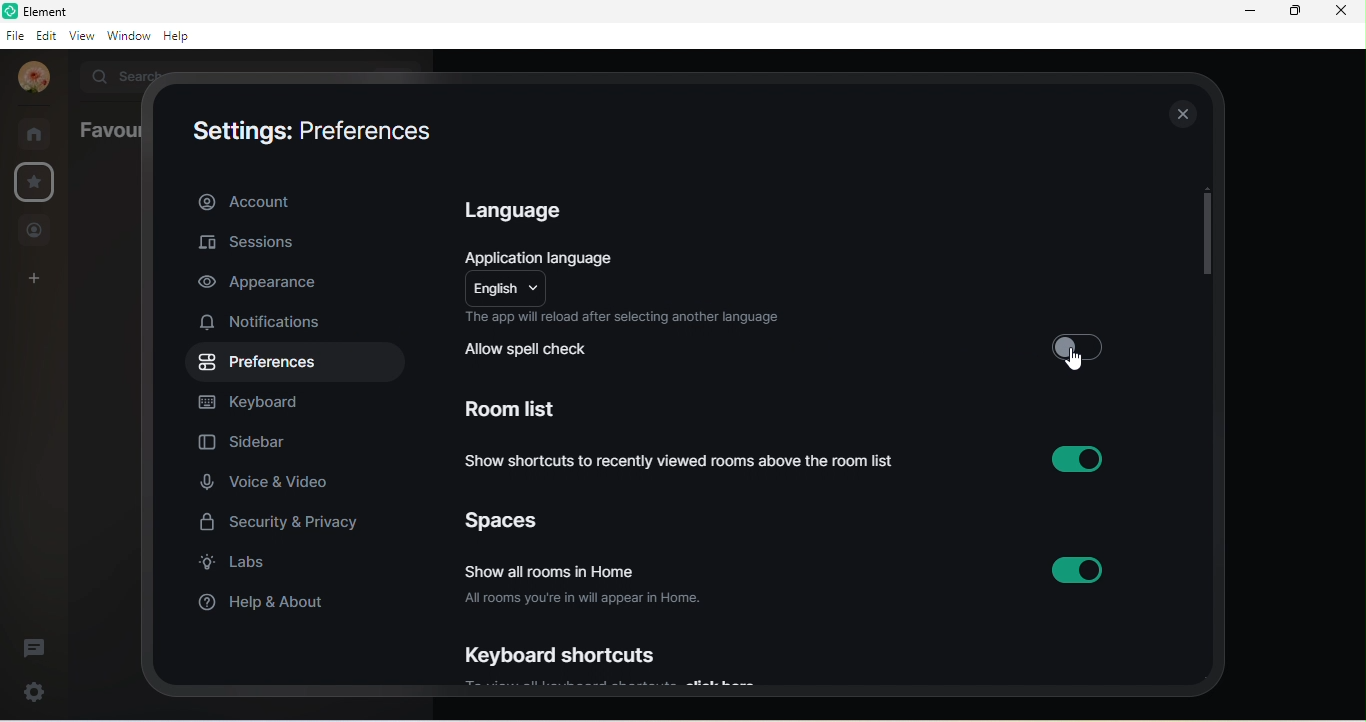 The width and height of the screenshot is (1366, 722). What do you see at coordinates (38, 647) in the screenshot?
I see `threads` at bounding box center [38, 647].